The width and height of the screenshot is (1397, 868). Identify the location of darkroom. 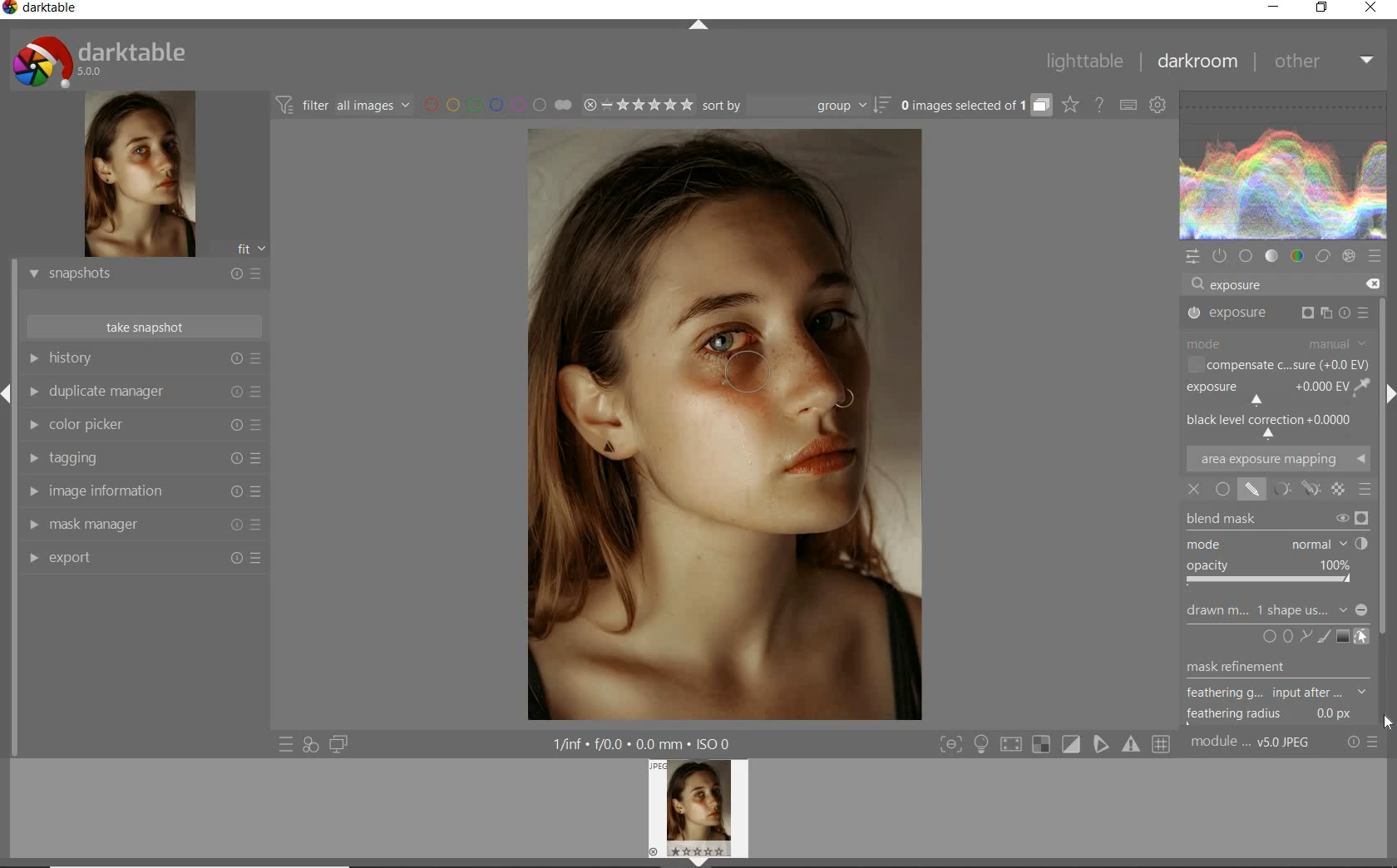
(1195, 62).